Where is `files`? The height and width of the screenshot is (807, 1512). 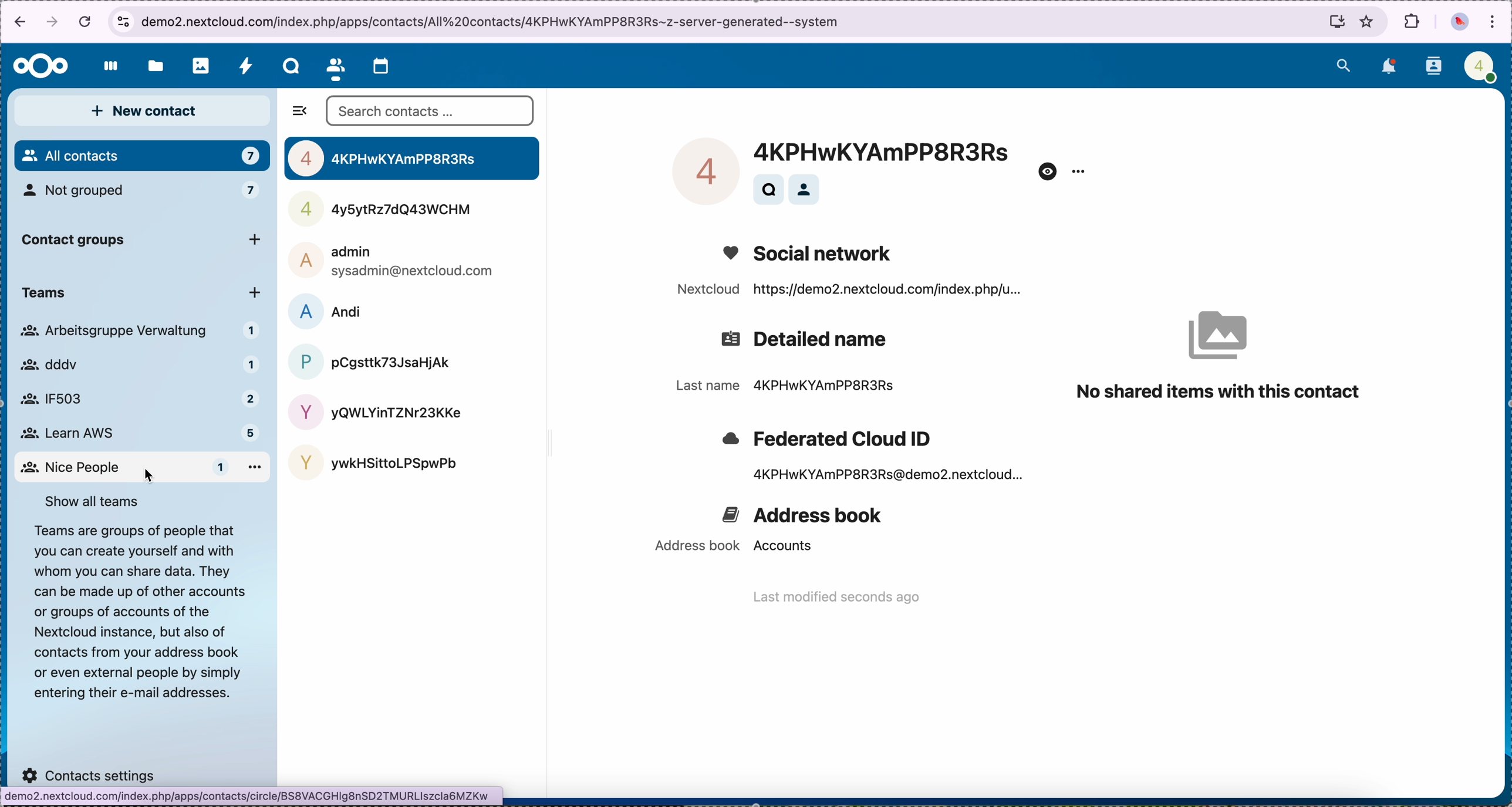 files is located at coordinates (153, 65).